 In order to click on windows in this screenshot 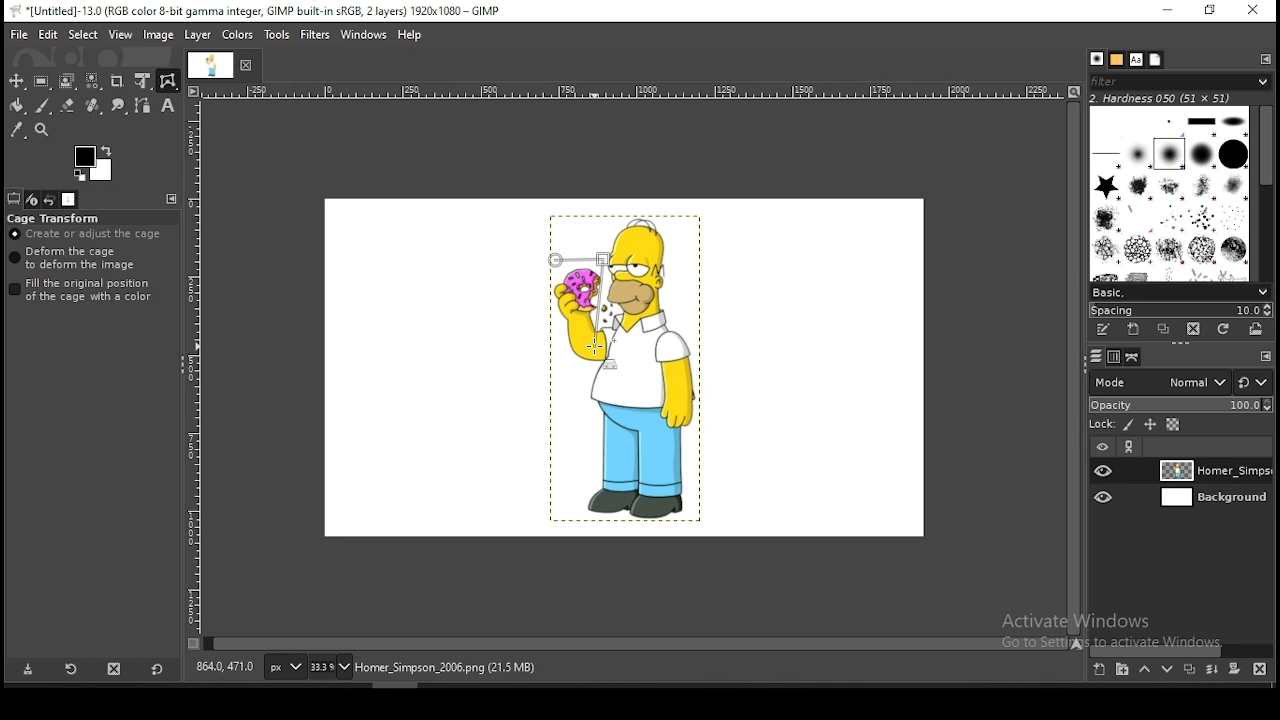, I will do `click(364, 33)`.